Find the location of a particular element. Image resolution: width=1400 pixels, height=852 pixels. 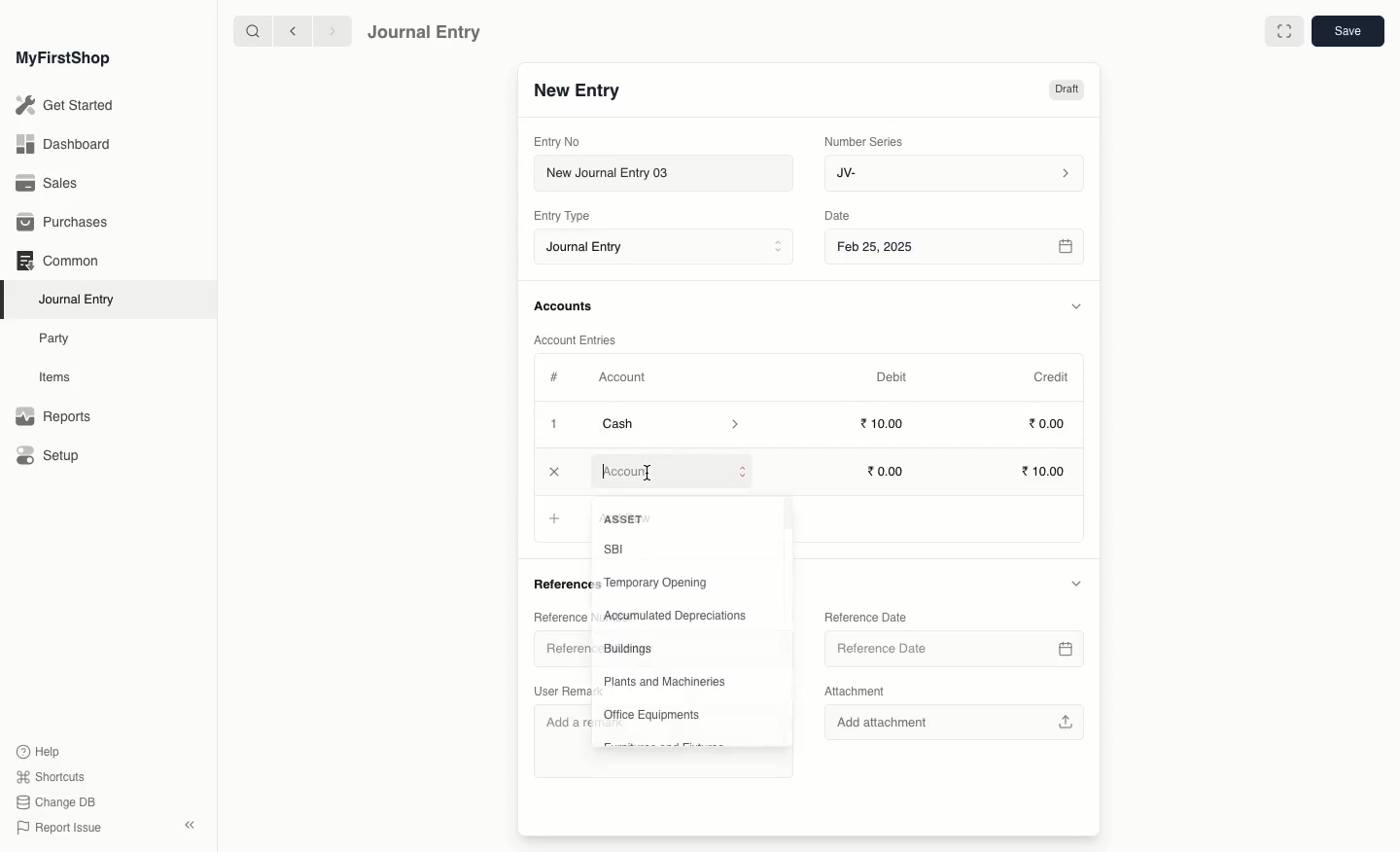

Hashtag is located at coordinates (558, 378).